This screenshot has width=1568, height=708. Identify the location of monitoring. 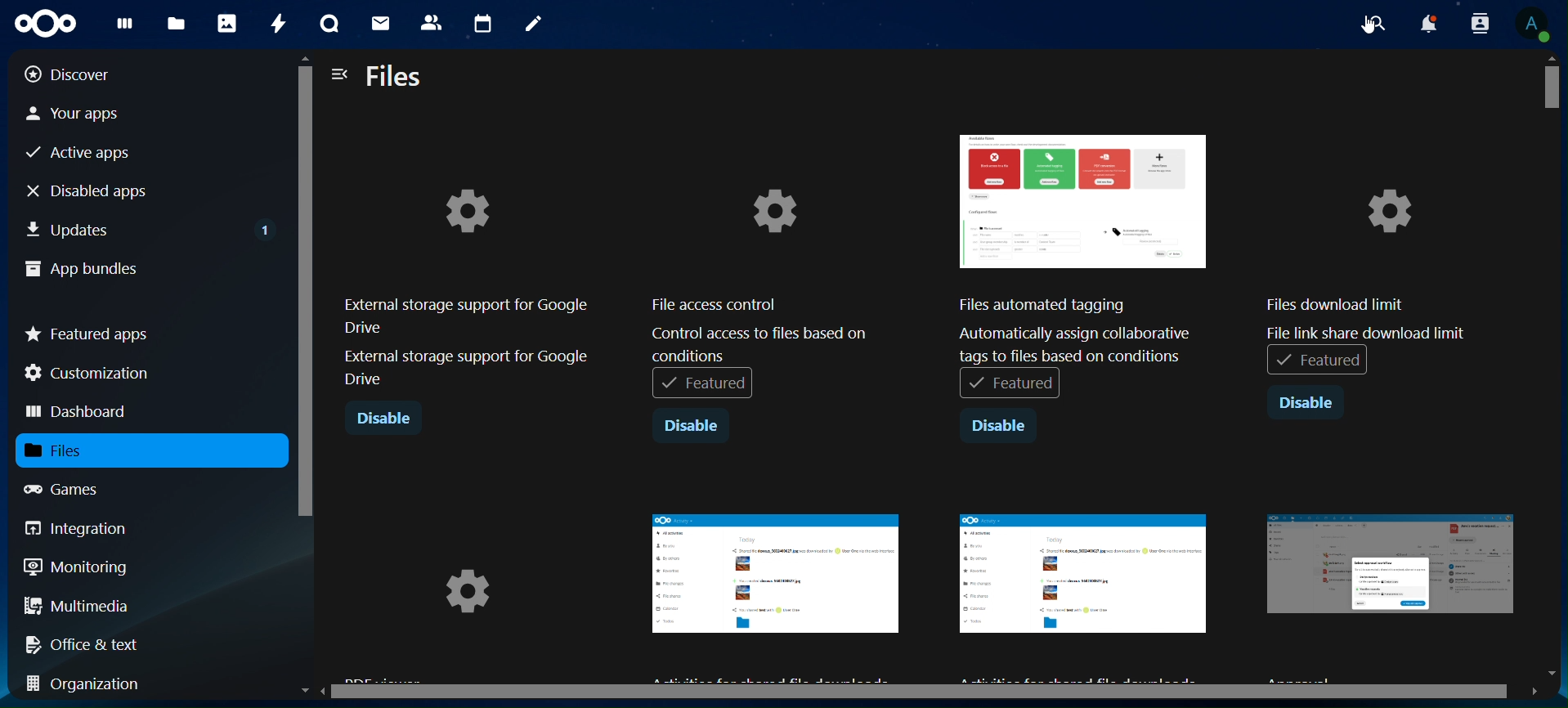
(77, 566).